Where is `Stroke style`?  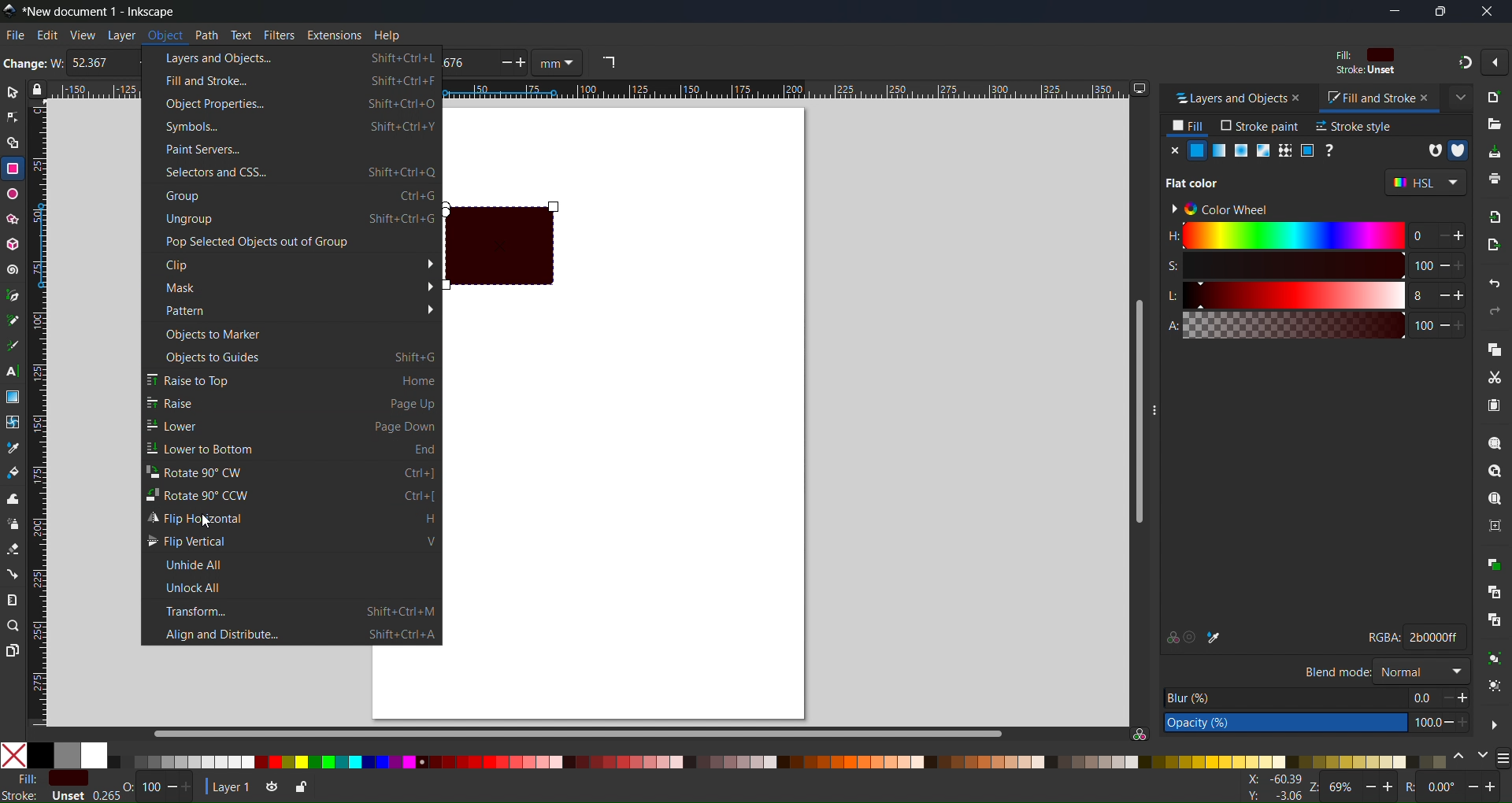
Stroke style is located at coordinates (1354, 126).